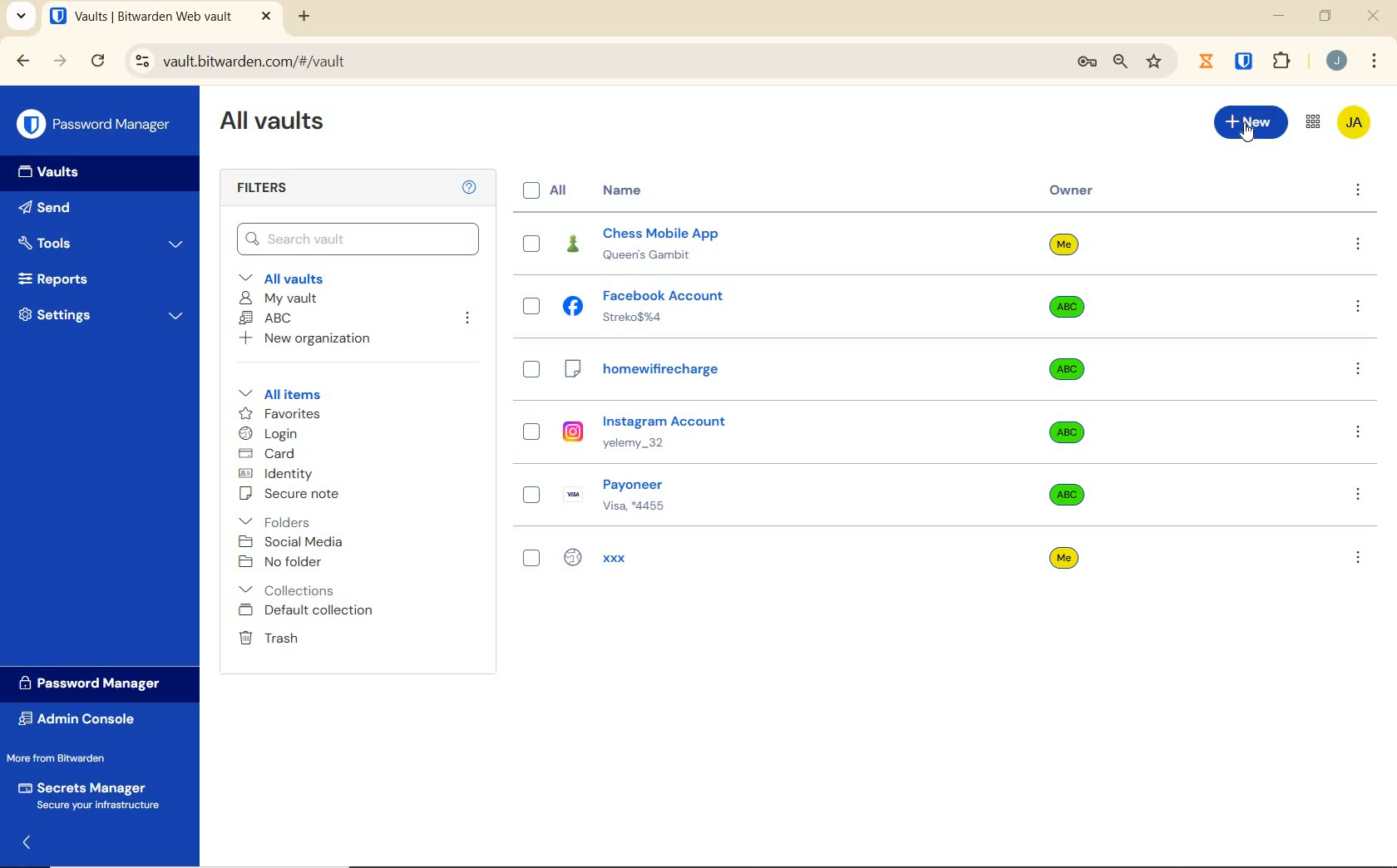 The image size is (1397, 868). What do you see at coordinates (289, 495) in the screenshot?
I see `secure note` at bounding box center [289, 495].